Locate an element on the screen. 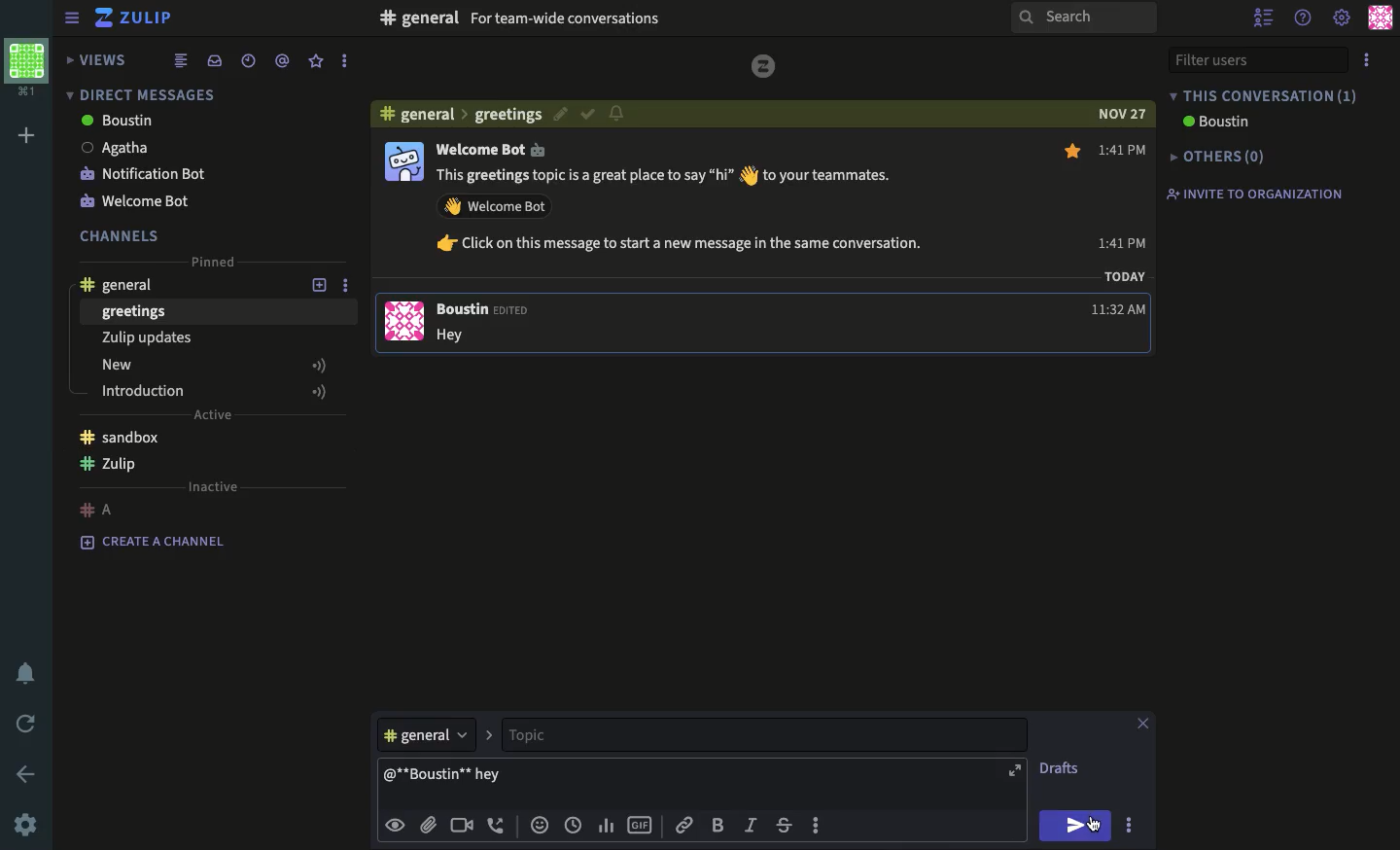 The image size is (1400, 850). Zulip is located at coordinates (134, 18).